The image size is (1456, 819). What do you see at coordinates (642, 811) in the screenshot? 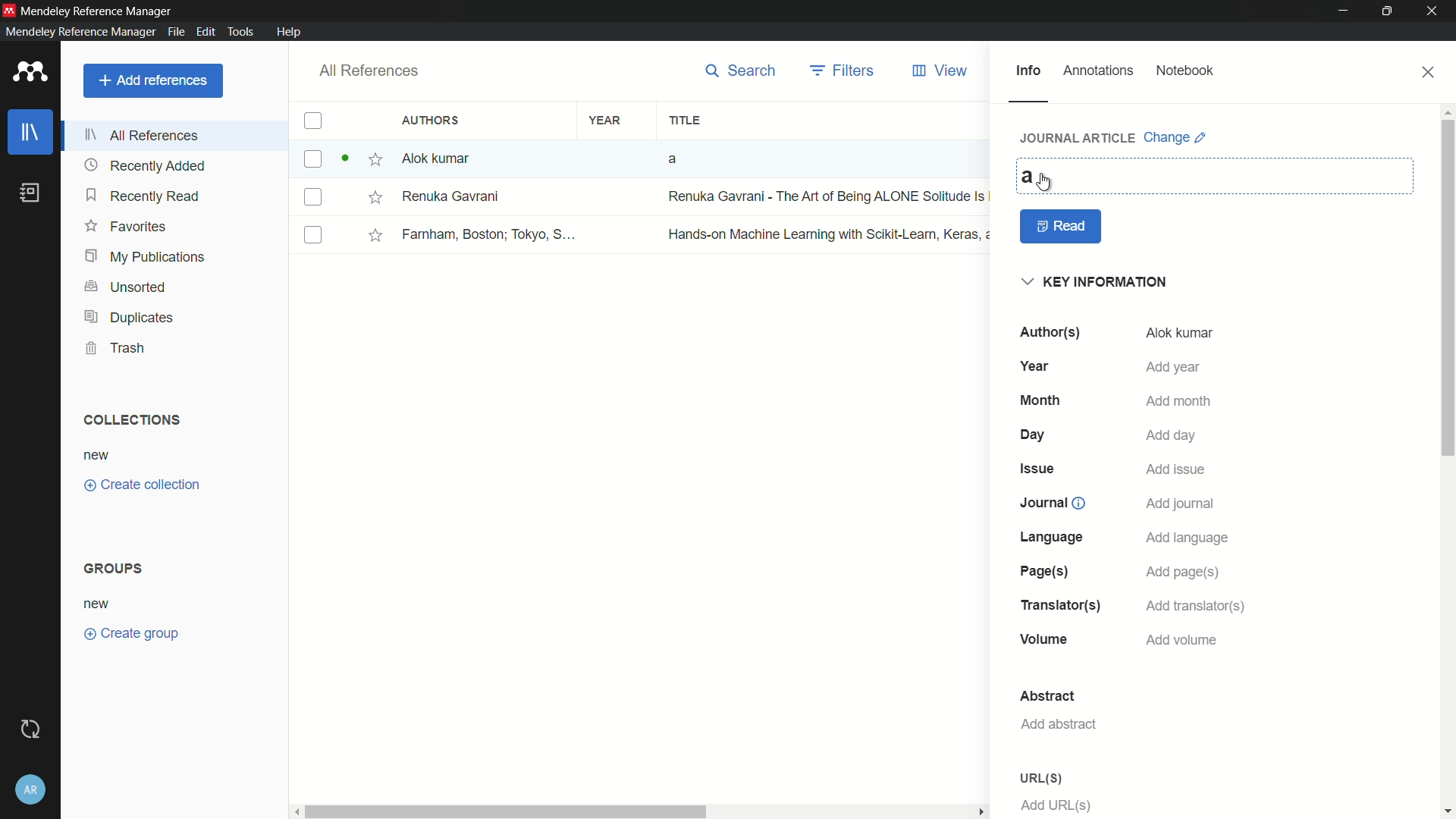
I see `horizontal scrollbar` at bounding box center [642, 811].